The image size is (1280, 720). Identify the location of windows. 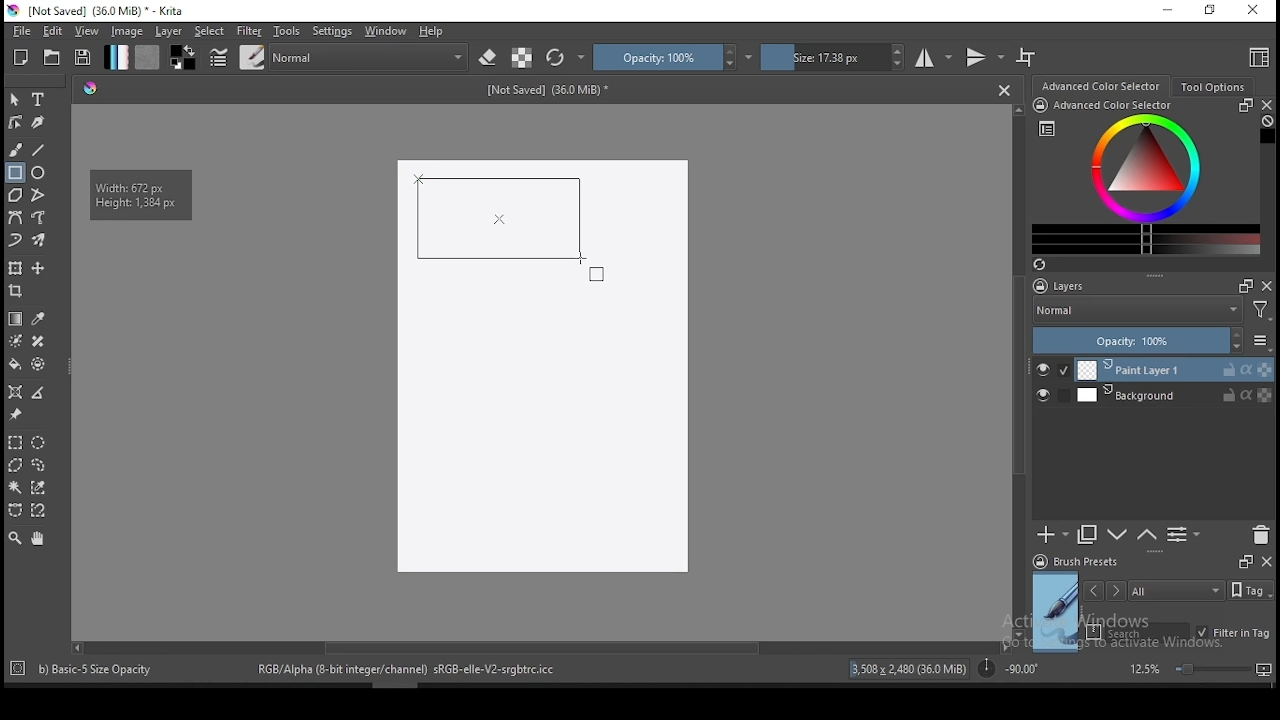
(386, 31).